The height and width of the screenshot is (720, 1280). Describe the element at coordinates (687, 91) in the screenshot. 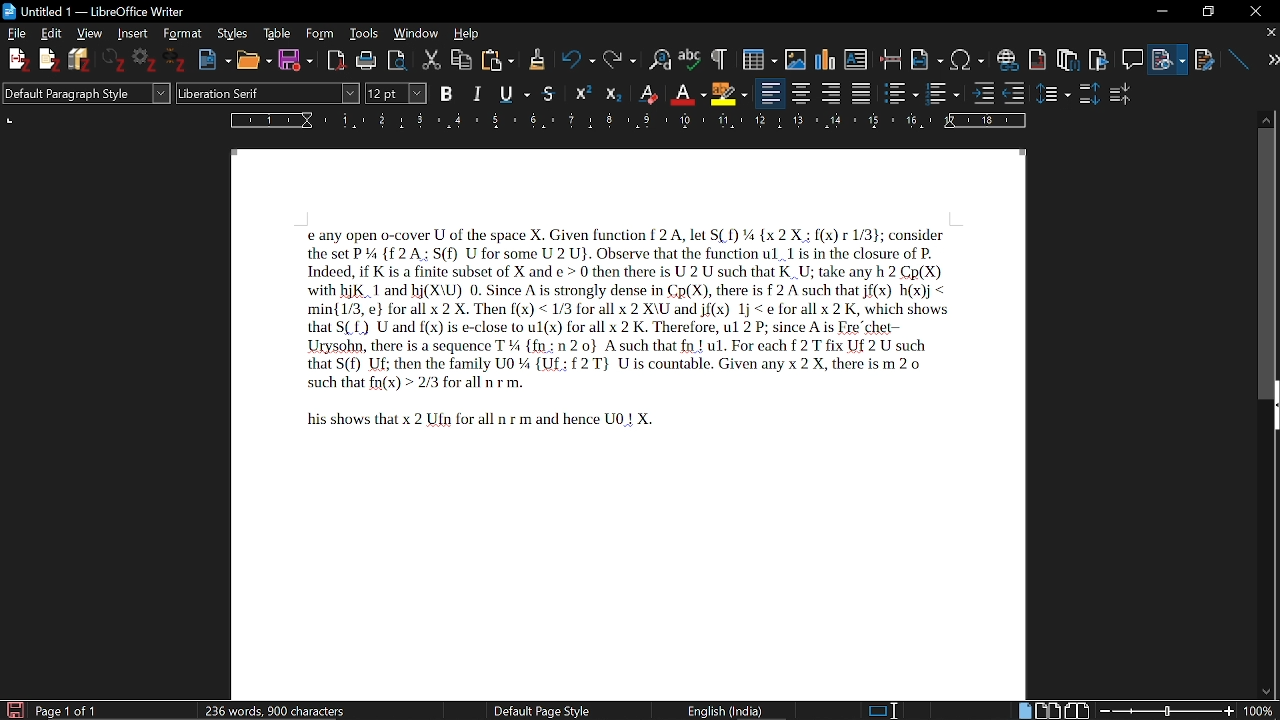

I see `Subscript` at that location.